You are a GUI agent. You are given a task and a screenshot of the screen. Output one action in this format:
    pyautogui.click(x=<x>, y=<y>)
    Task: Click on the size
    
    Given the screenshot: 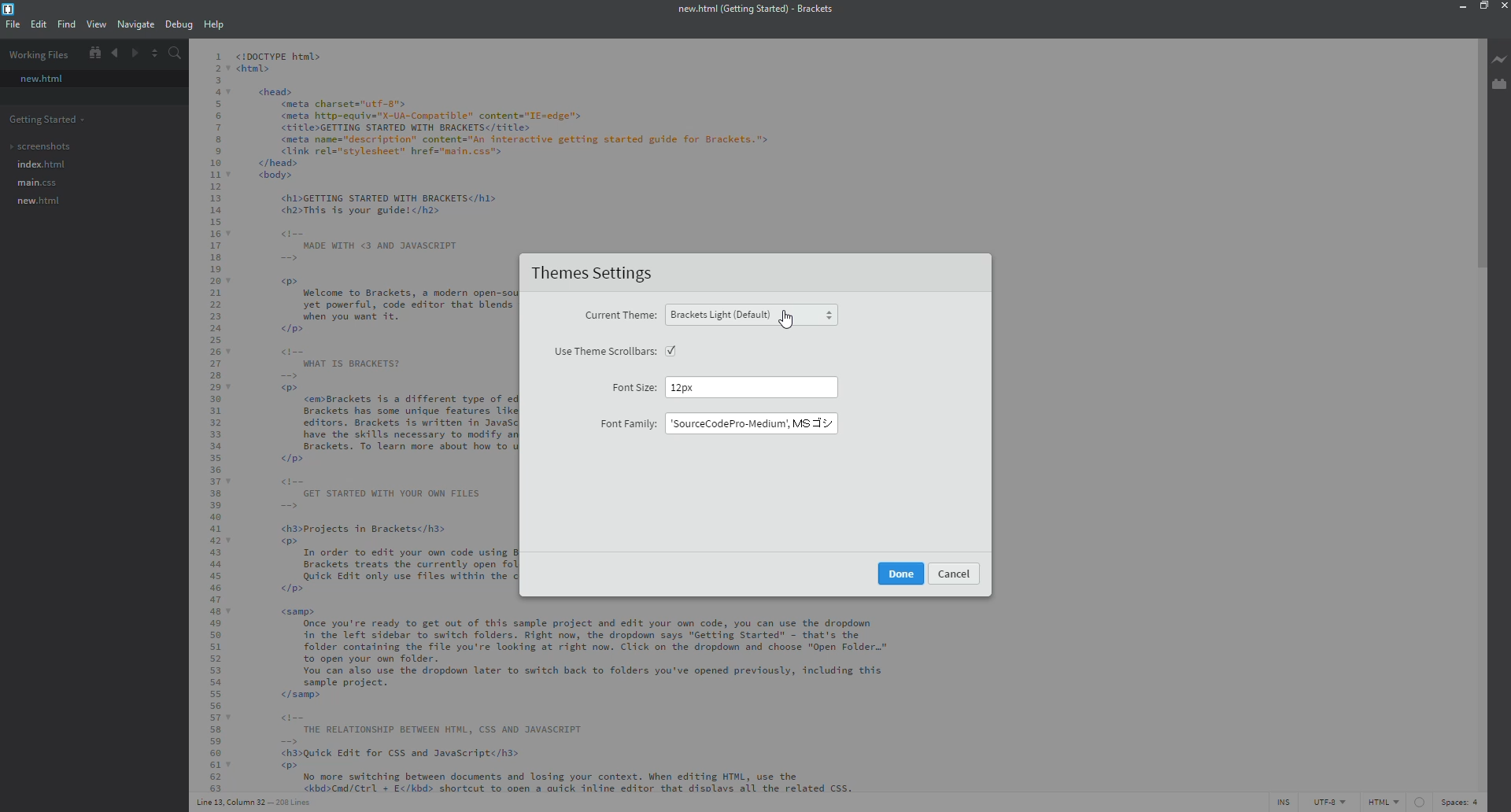 What is the action you would take?
    pyautogui.click(x=704, y=386)
    